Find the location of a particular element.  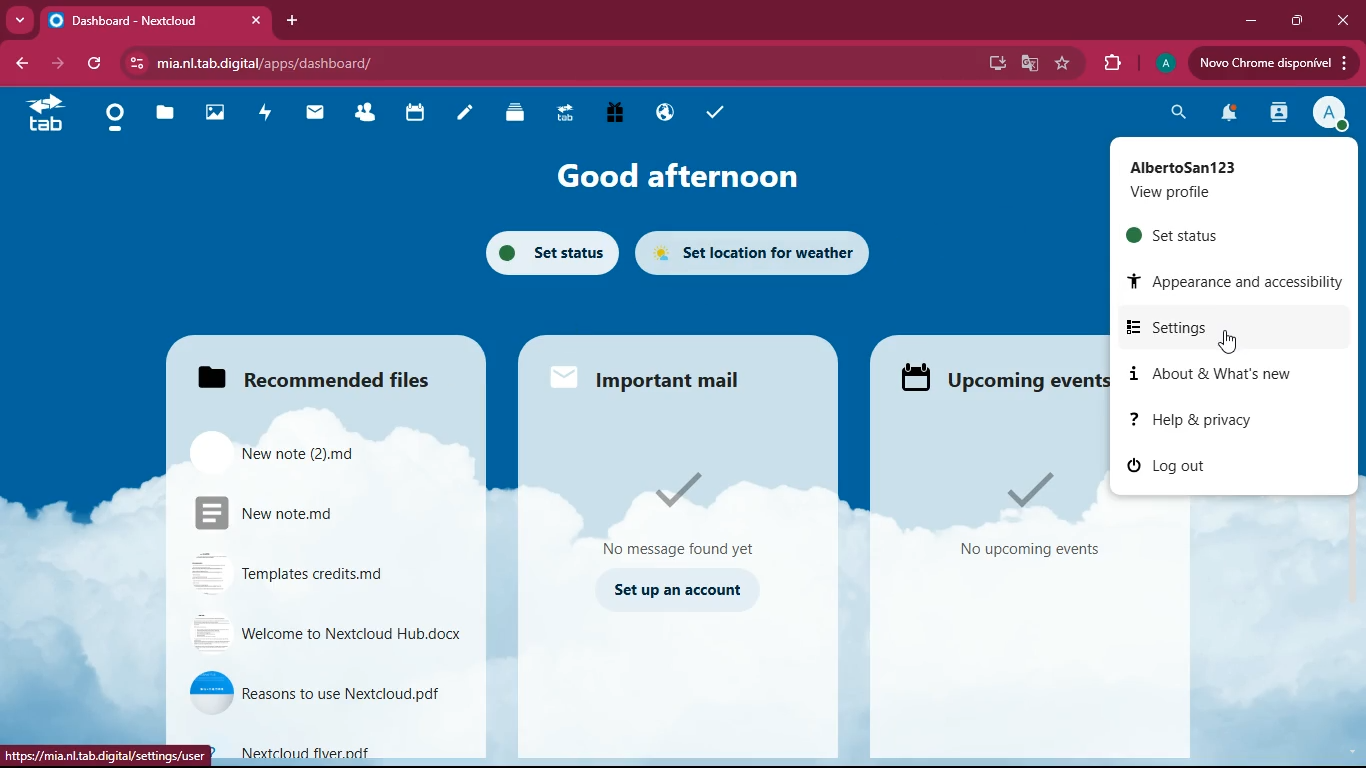

appearance is located at coordinates (1229, 281).